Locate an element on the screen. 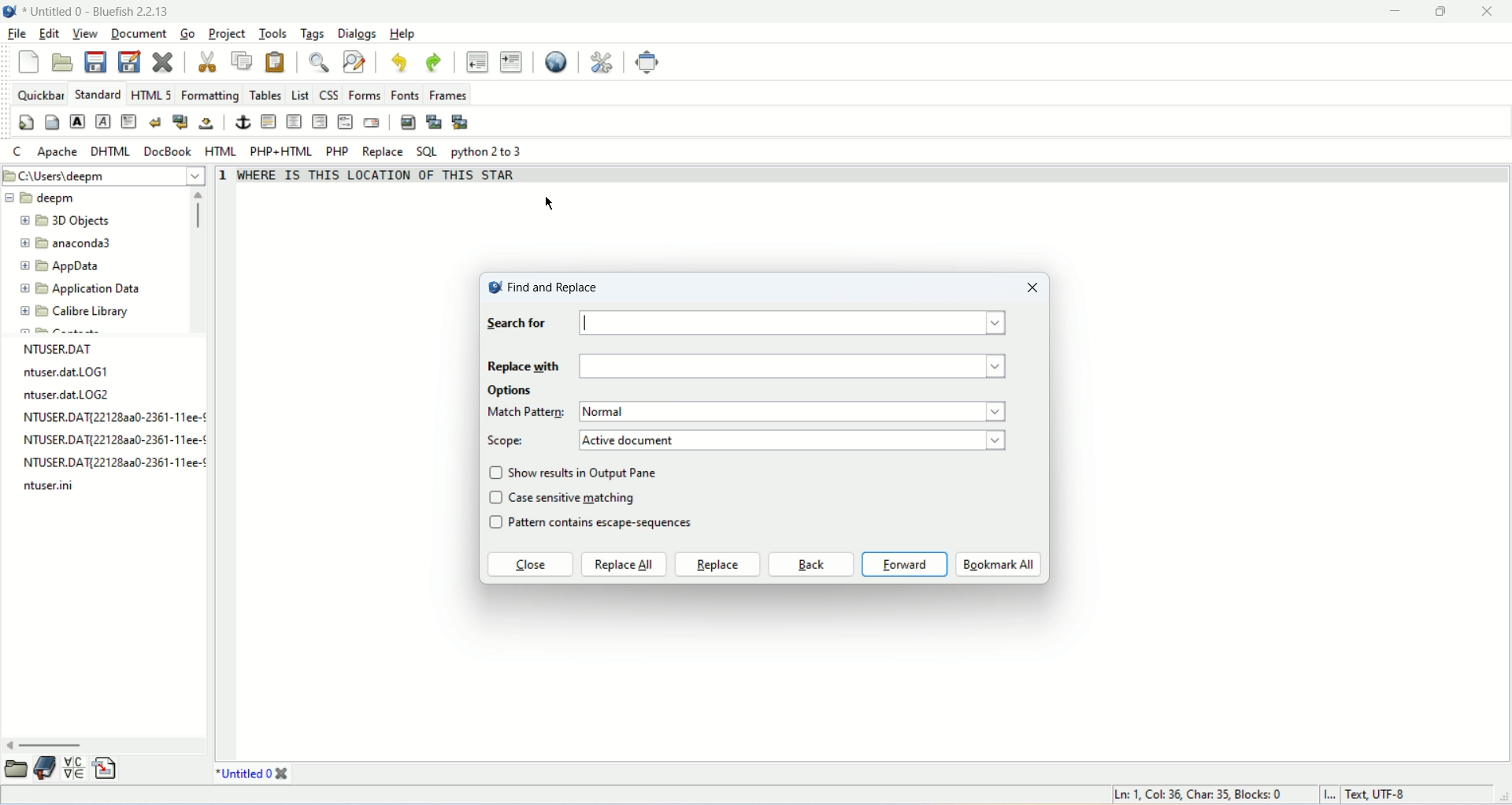  save as is located at coordinates (130, 61).